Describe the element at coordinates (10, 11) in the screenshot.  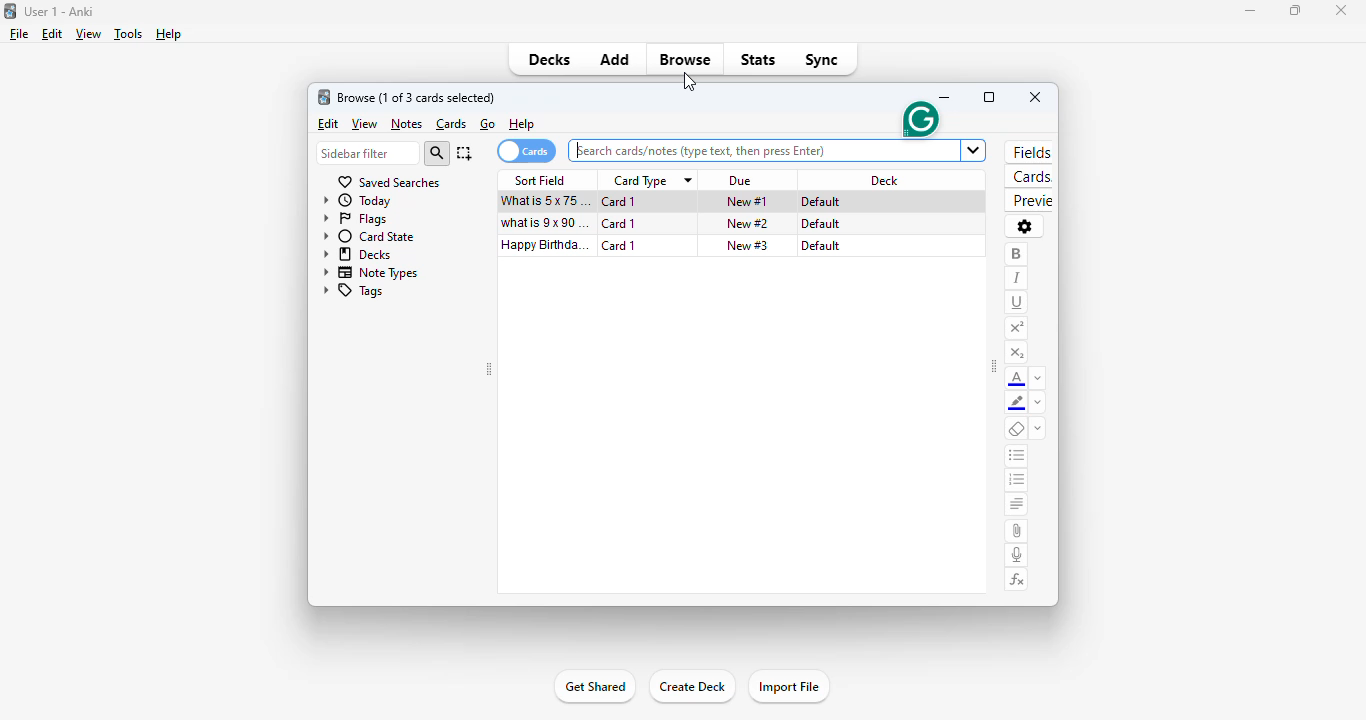
I see `logo` at that location.